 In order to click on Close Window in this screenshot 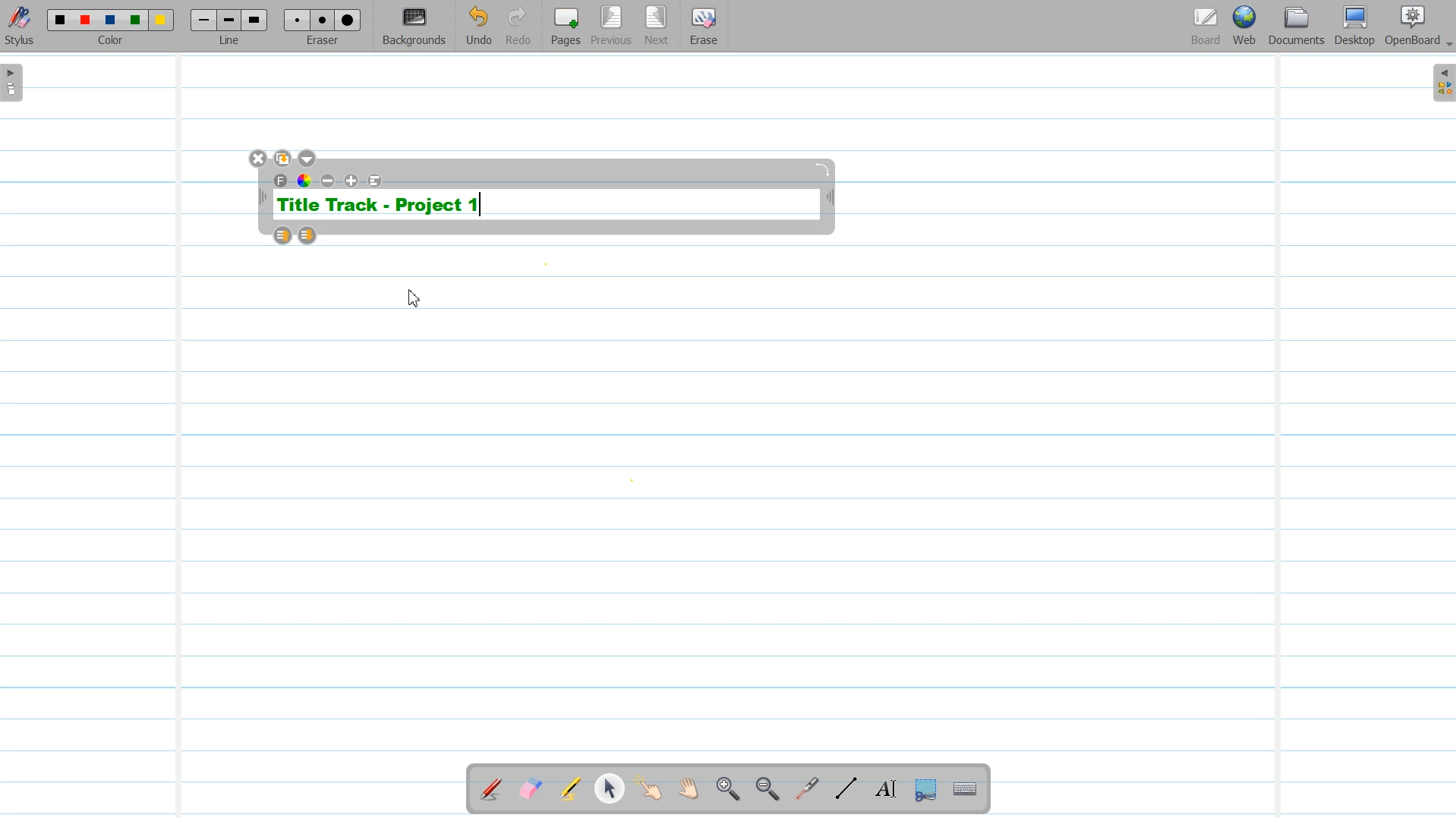, I will do `click(259, 159)`.